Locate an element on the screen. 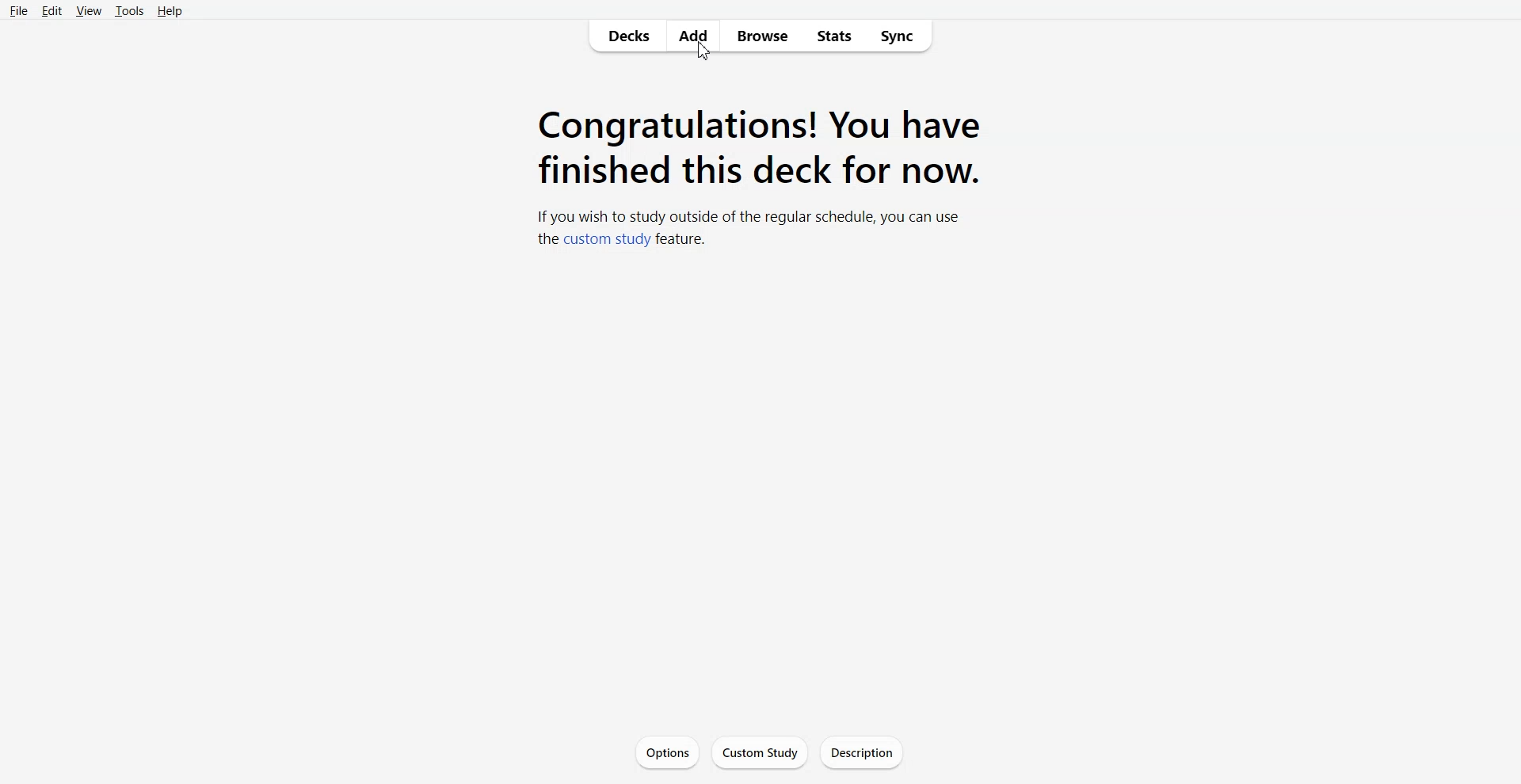  Sync is located at coordinates (899, 36).